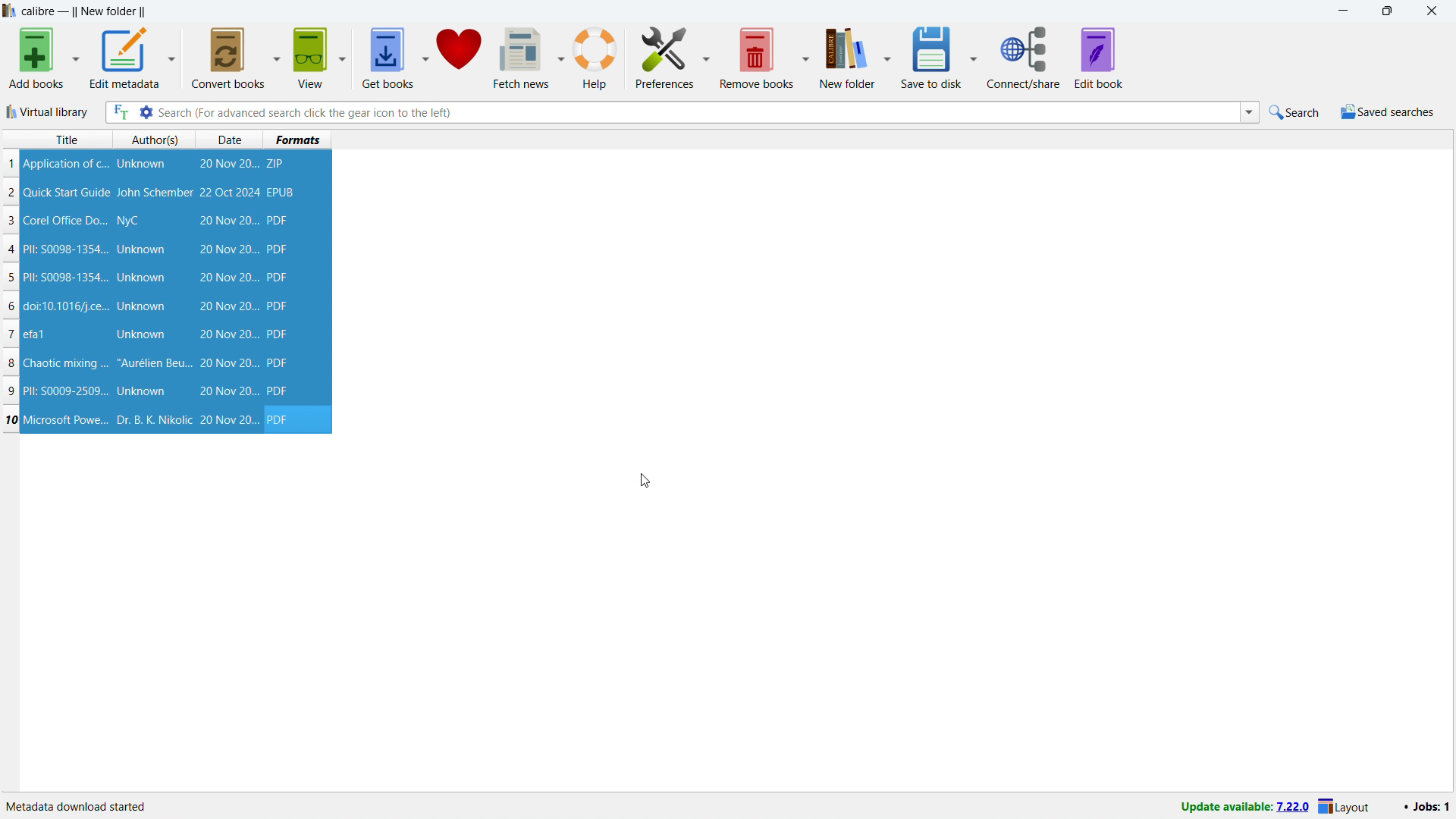 This screenshot has height=819, width=1456. Describe the element at coordinates (560, 56) in the screenshot. I see `fetch new options` at that location.